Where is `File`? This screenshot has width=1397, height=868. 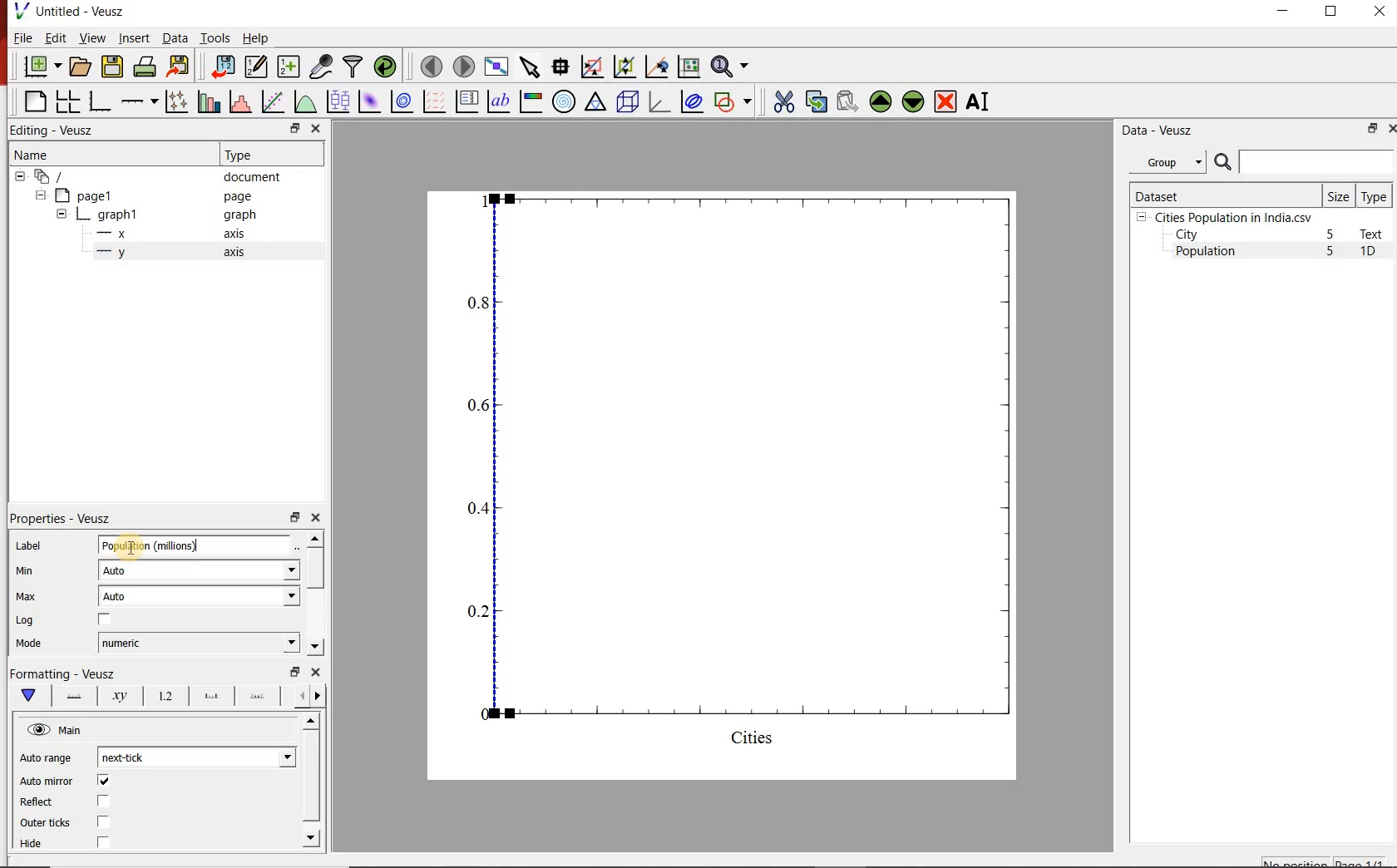
File is located at coordinates (23, 37).